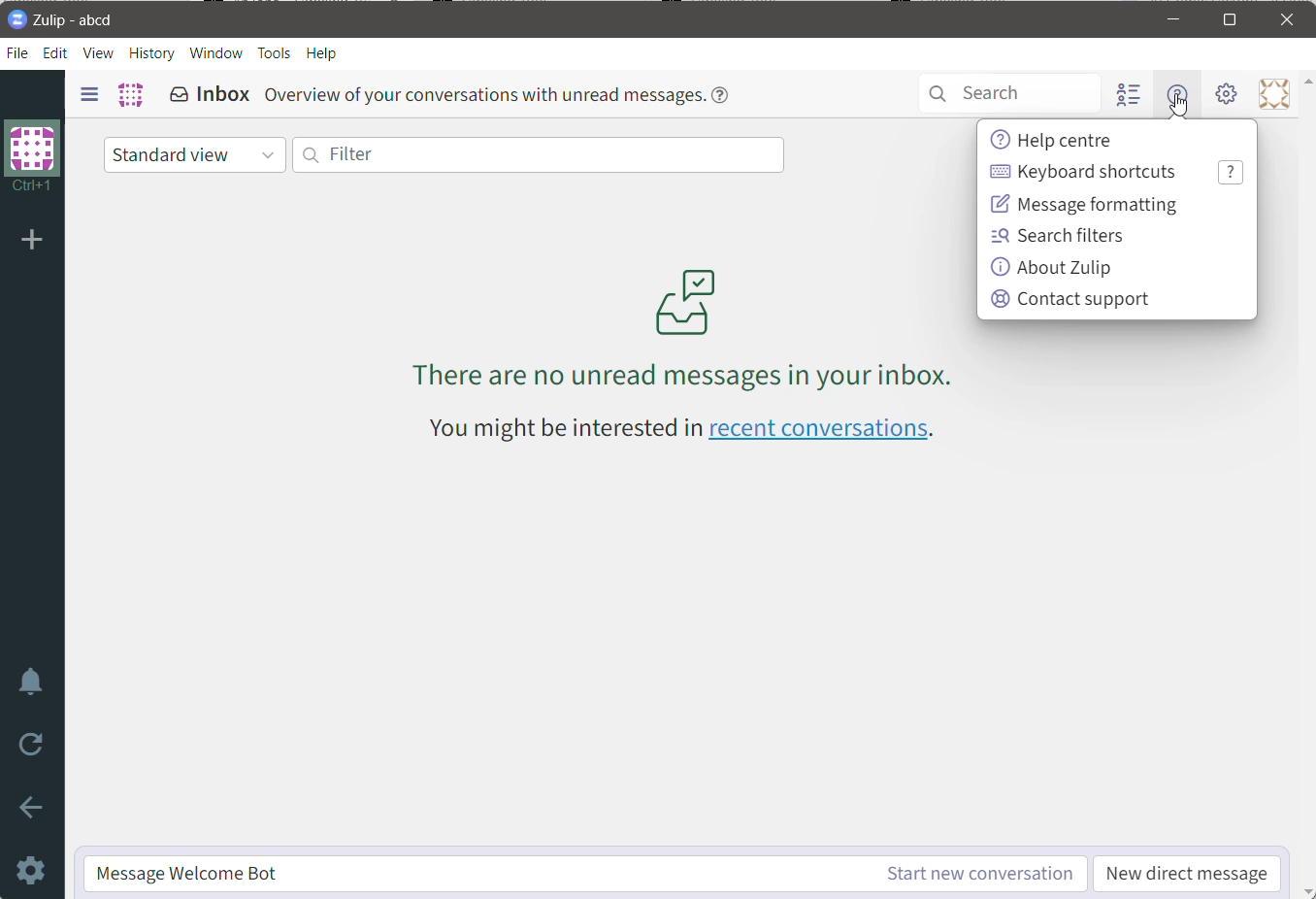 The image size is (1316, 899). I want to click on Setting, so click(1226, 93).